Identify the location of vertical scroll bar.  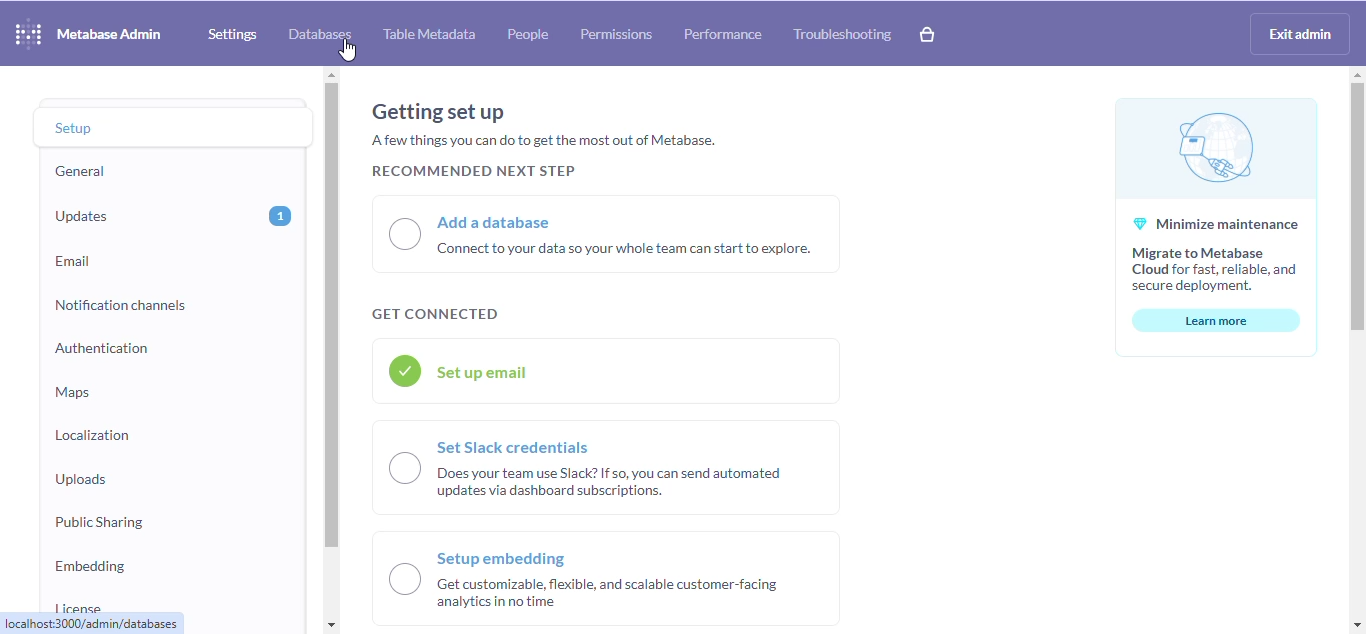
(1355, 207).